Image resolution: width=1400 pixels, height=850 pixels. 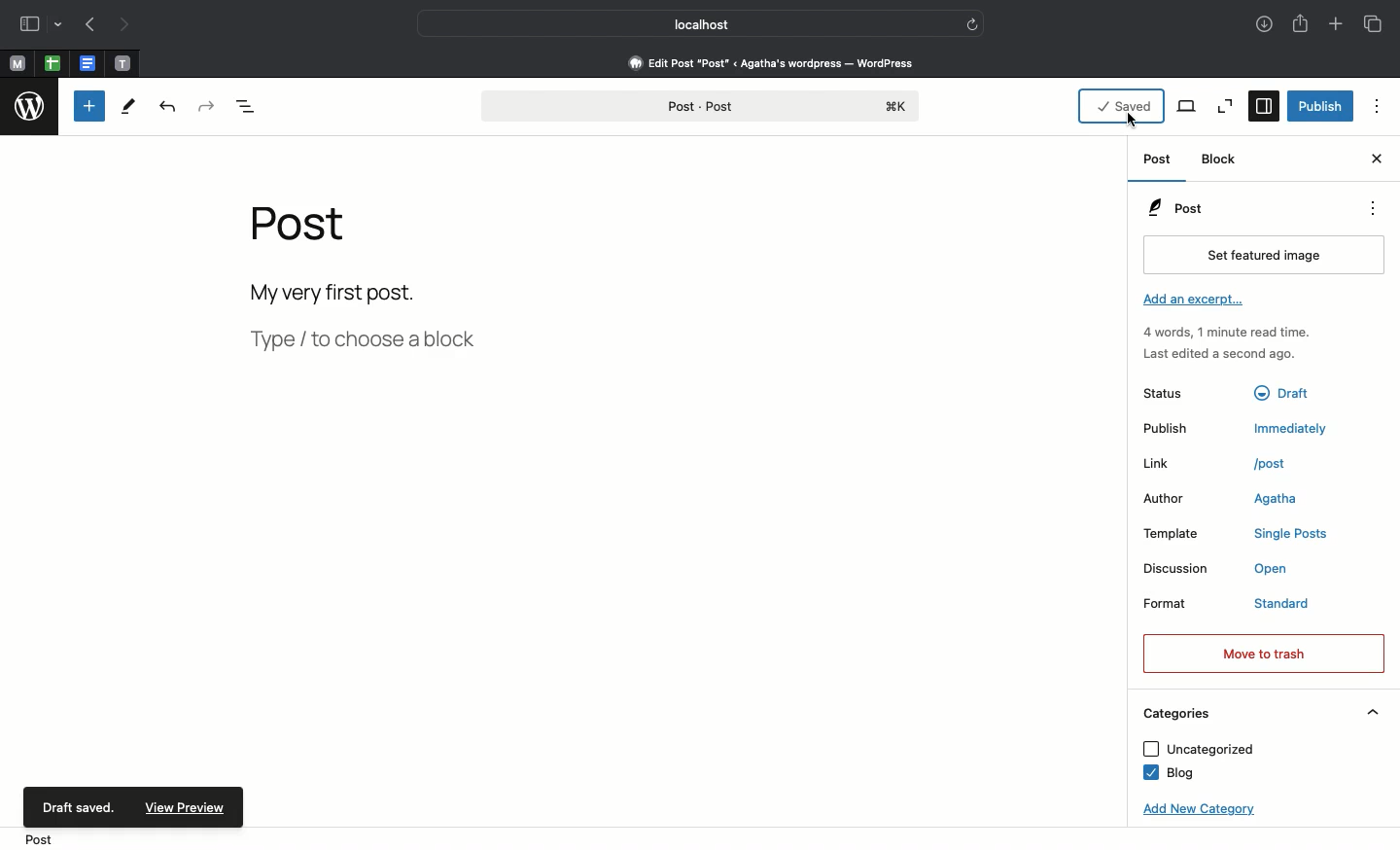 What do you see at coordinates (1174, 208) in the screenshot?
I see `Post` at bounding box center [1174, 208].